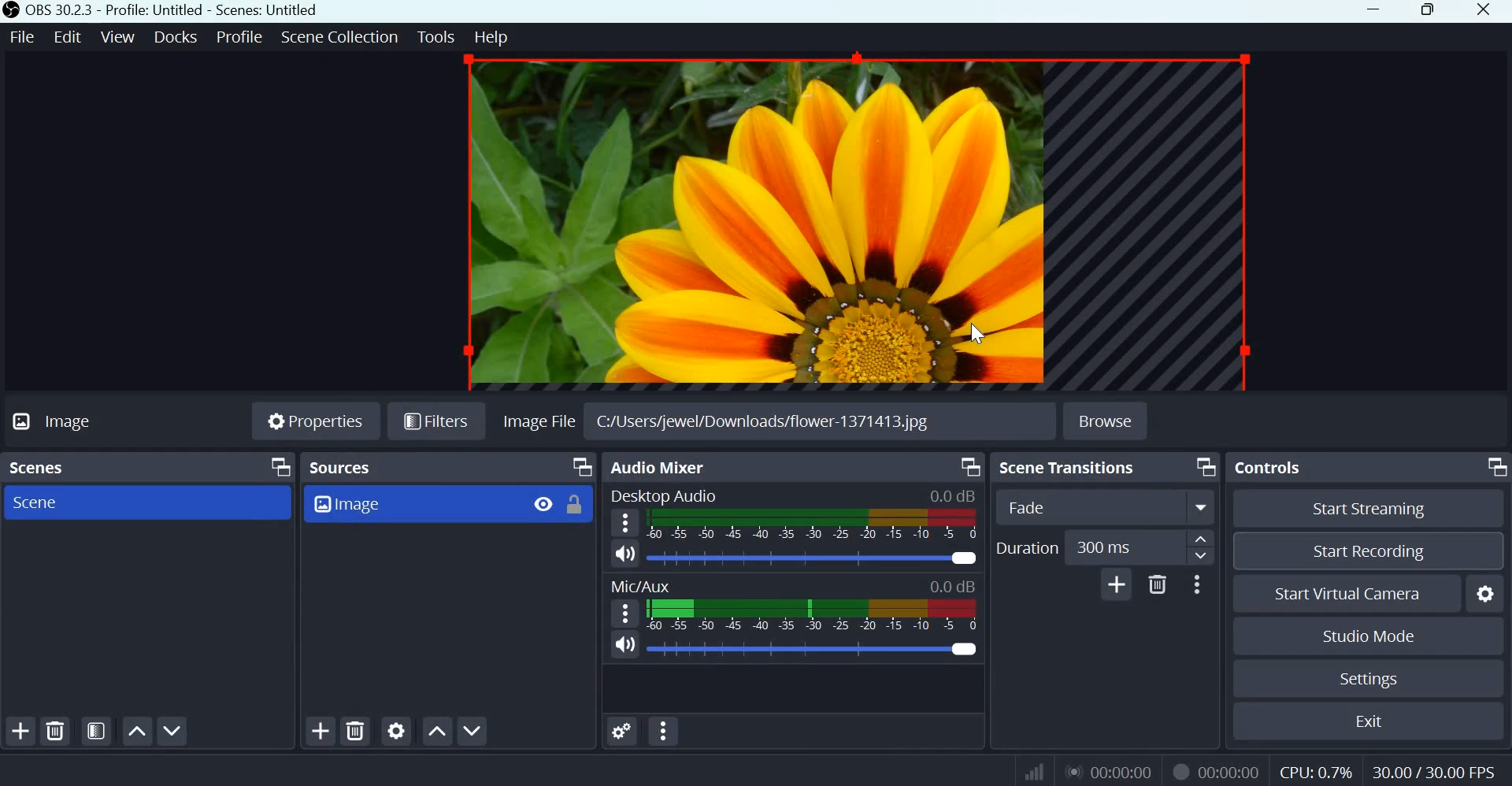  Describe the element at coordinates (1268, 466) in the screenshot. I see `Controls` at that location.